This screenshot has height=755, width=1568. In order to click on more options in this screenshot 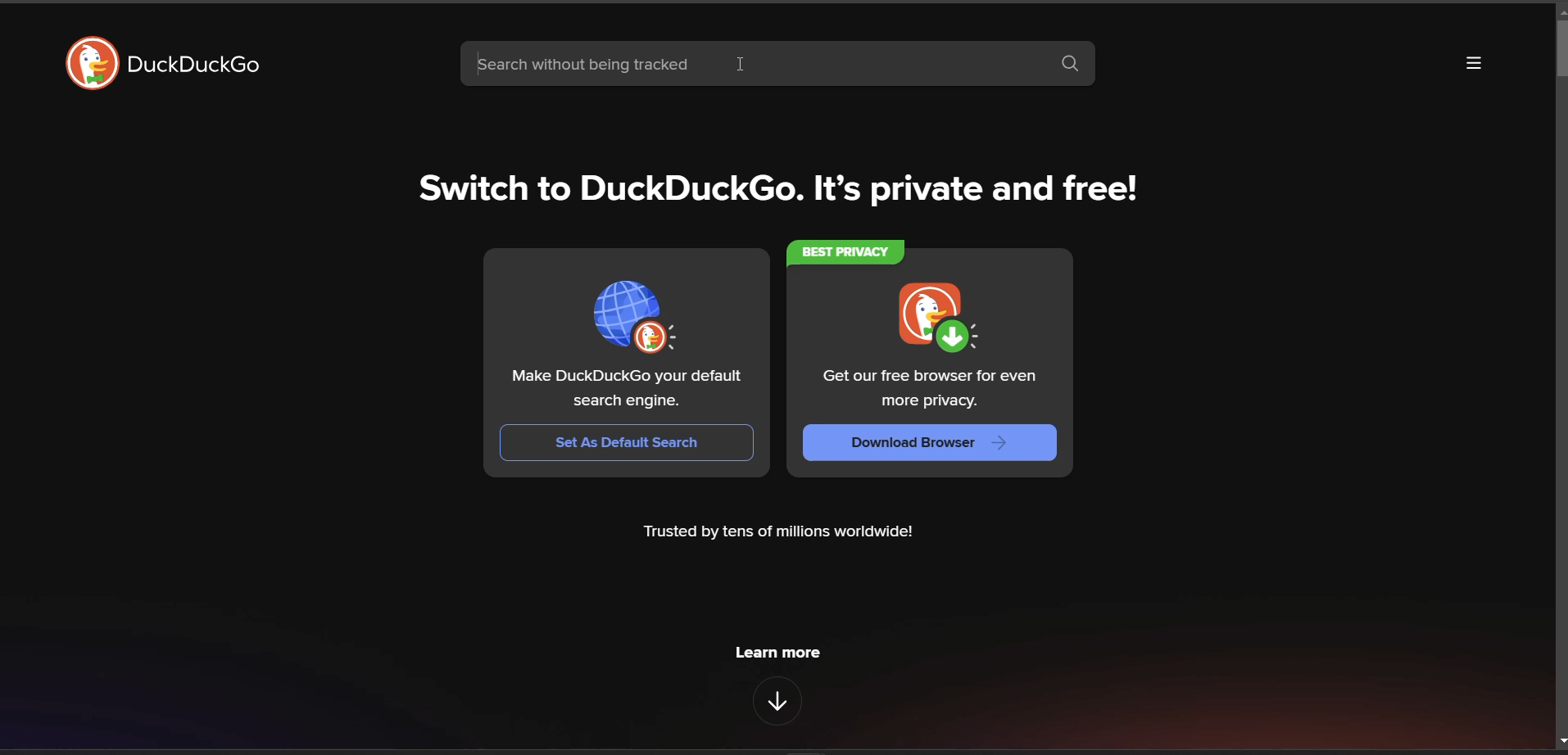, I will do `click(1471, 67)`.